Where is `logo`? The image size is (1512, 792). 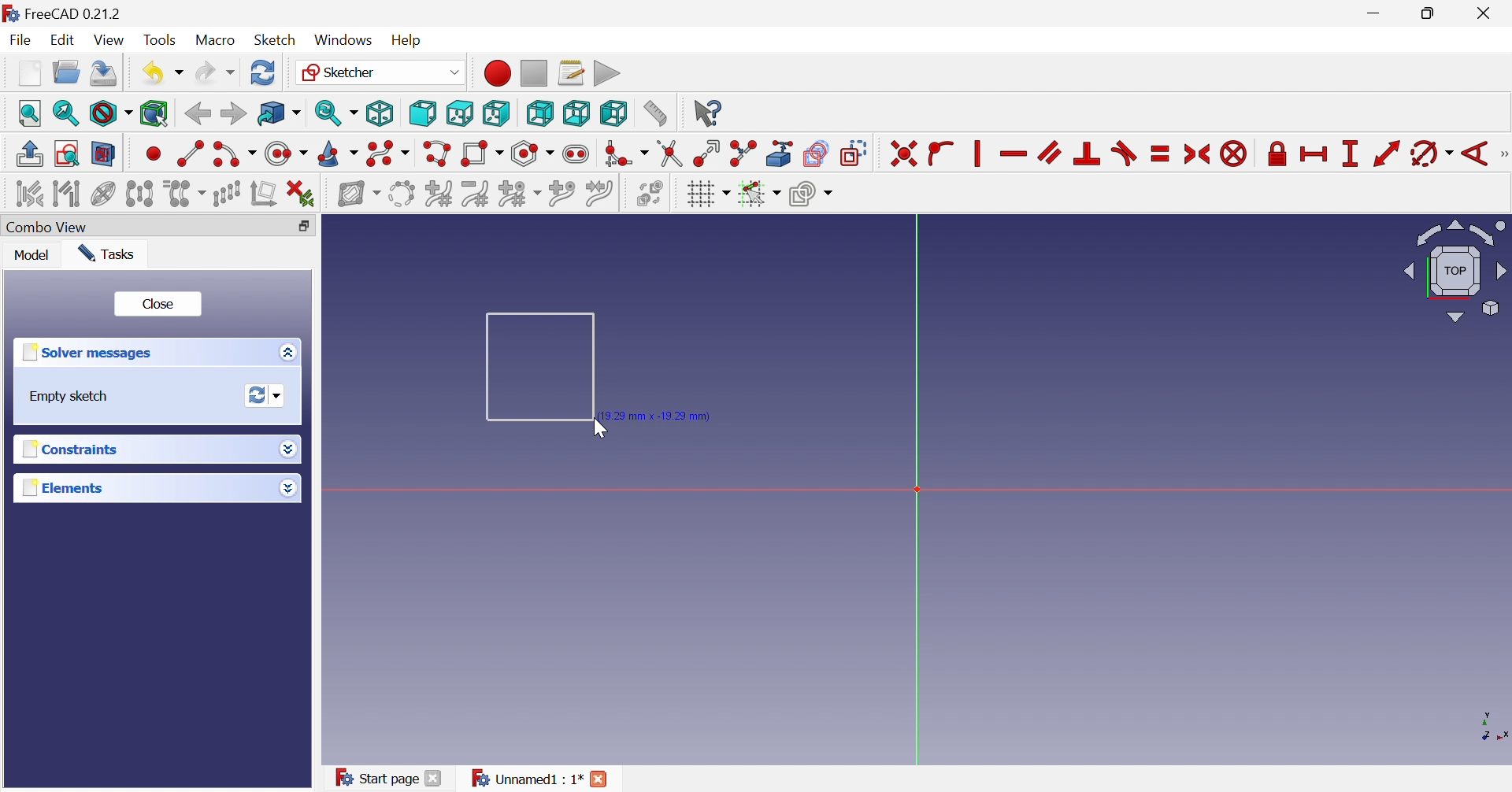 logo is located at coordinates (10, 12).